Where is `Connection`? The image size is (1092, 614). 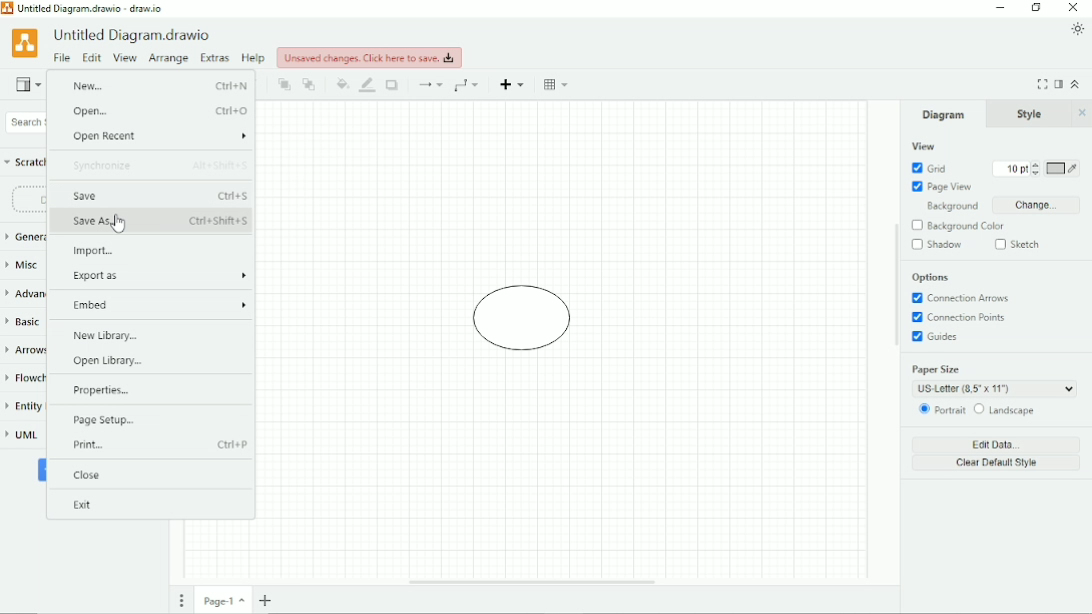 Connection is located at coordinates (430, 85).